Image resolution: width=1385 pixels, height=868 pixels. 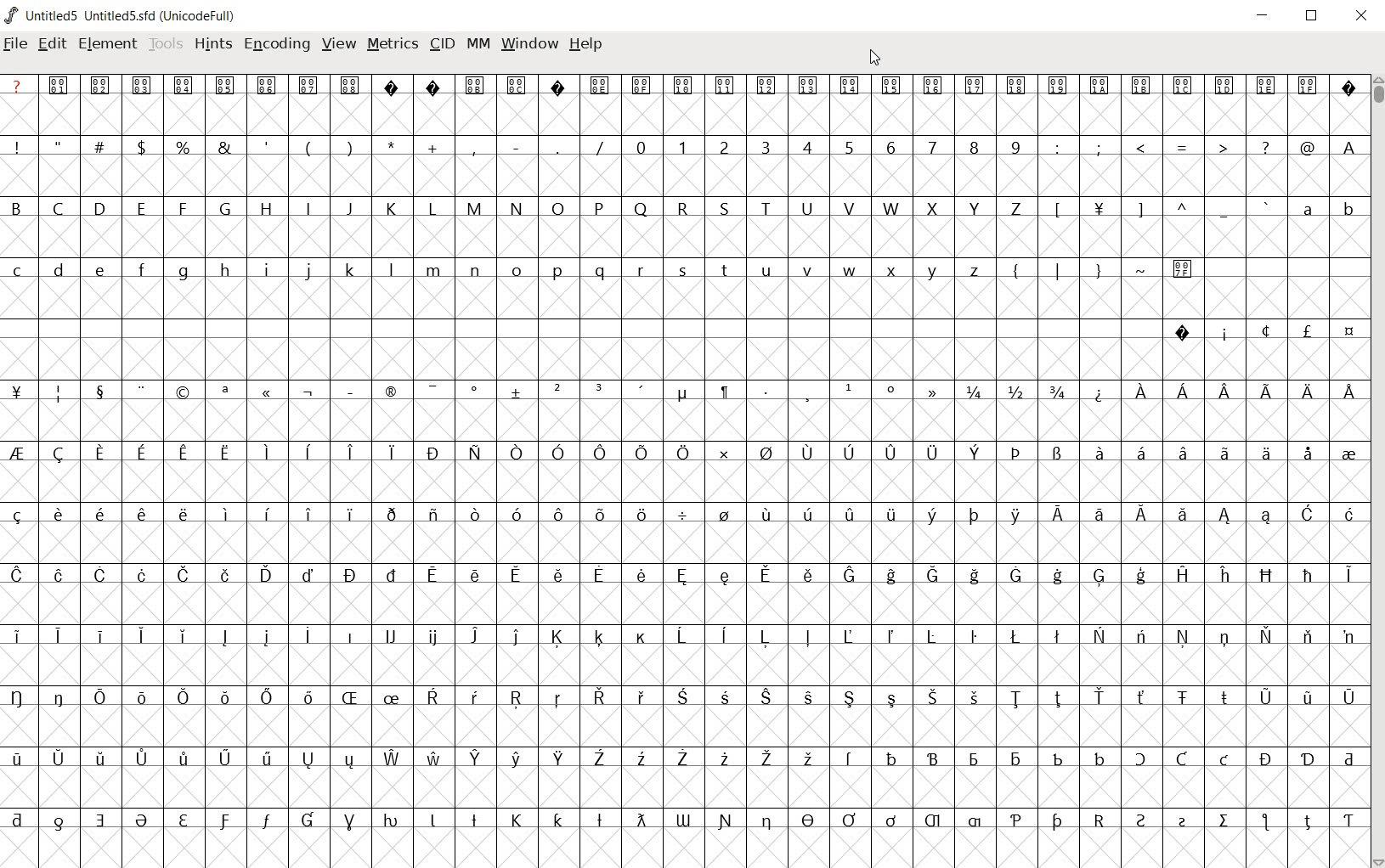 What do you see at coordinates (183, 271) in the screenshot?
I see `g` at bounding box center [183, 271].